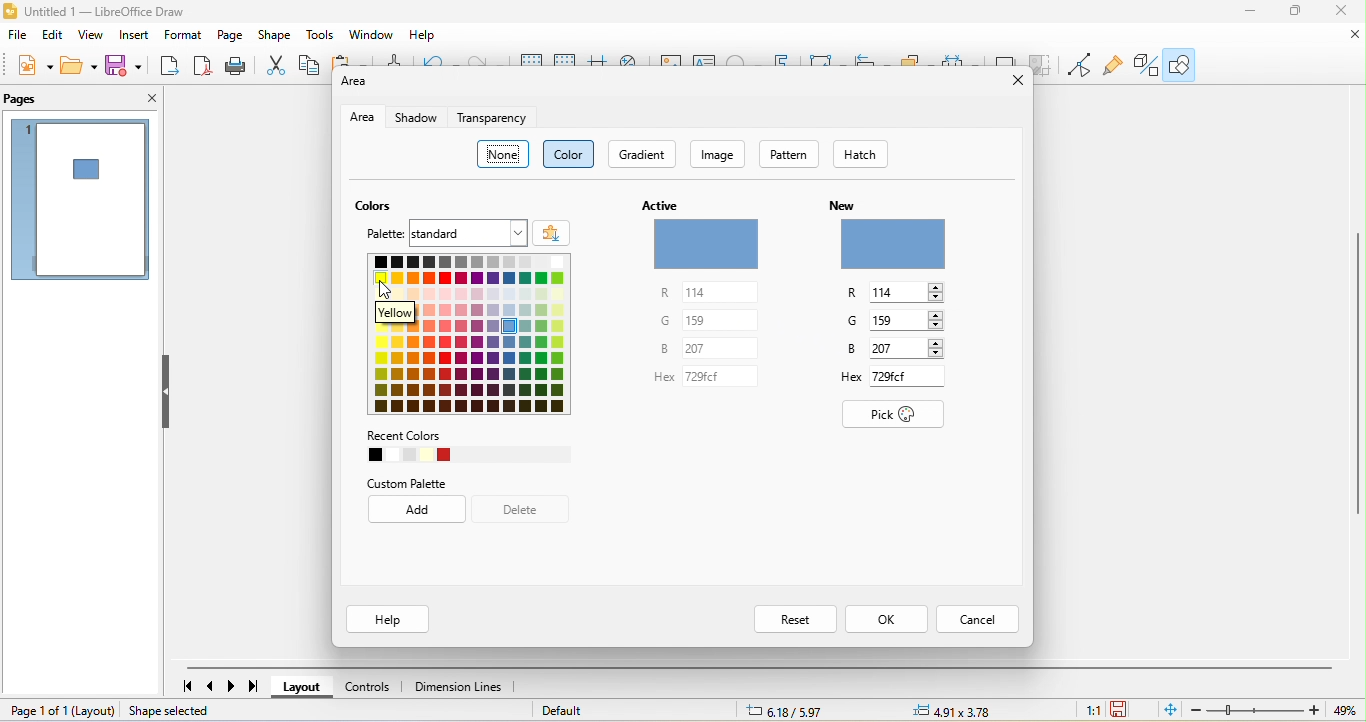 The height and width of the screenshot is (722, 1366). What do you see at coordinates (34, 62) in the screenshot?
I see `new ` at bounding box center [34, 62].